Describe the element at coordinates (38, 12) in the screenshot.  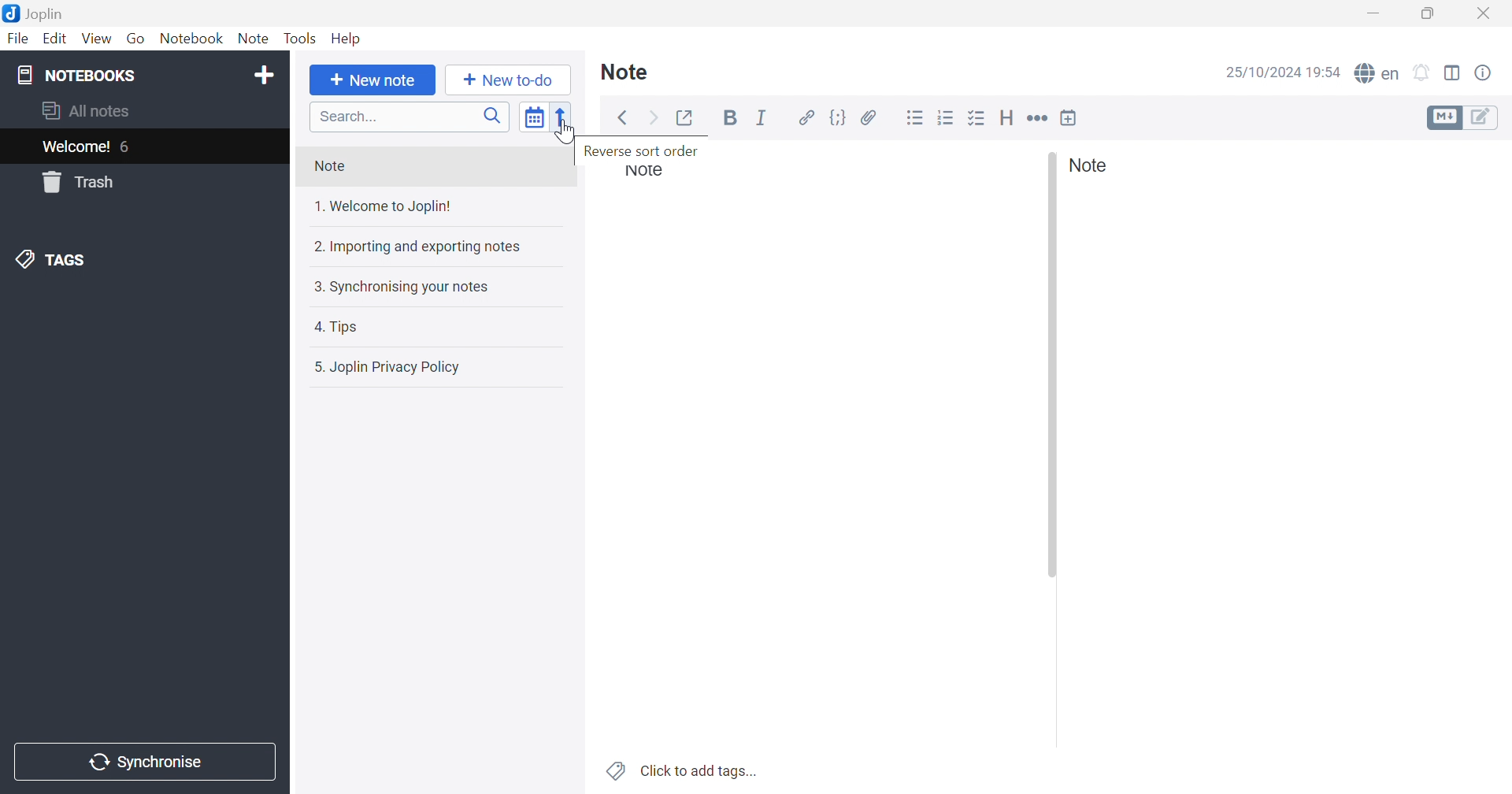
I see `Joplin` at that location.